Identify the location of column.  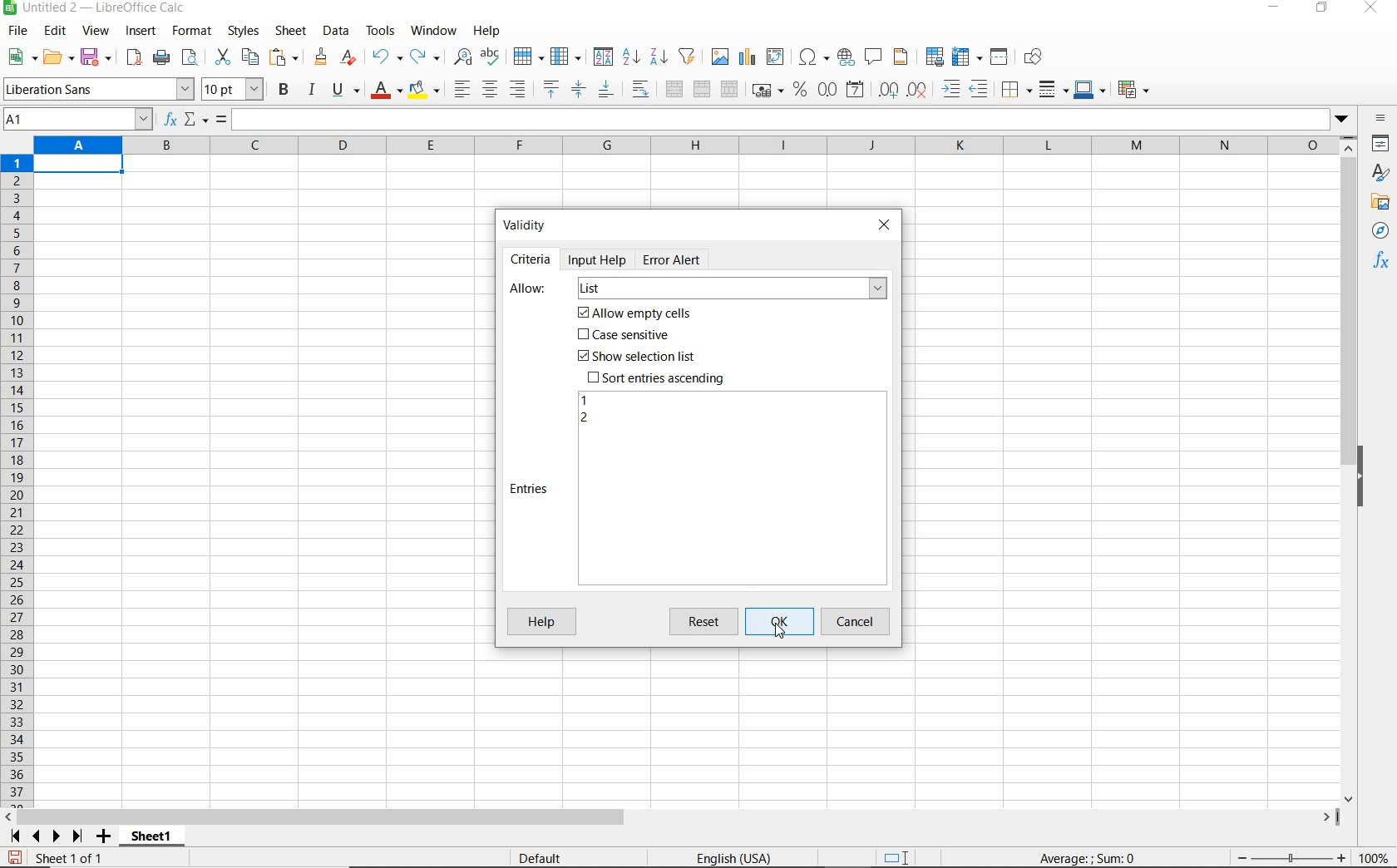
(567, 57).